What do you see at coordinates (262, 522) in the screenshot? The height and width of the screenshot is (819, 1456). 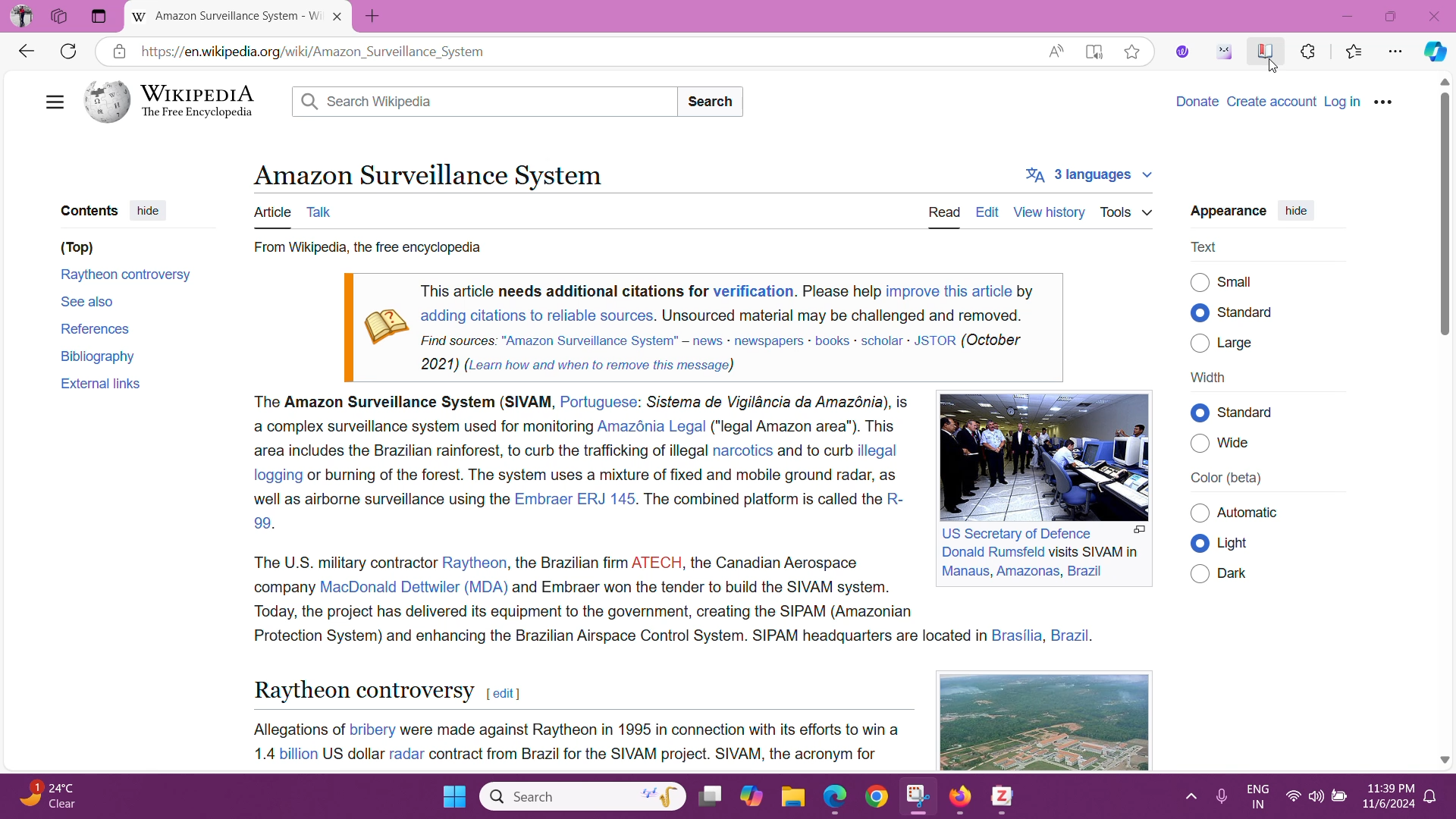 I see `99` at bounding box center [262, 522].